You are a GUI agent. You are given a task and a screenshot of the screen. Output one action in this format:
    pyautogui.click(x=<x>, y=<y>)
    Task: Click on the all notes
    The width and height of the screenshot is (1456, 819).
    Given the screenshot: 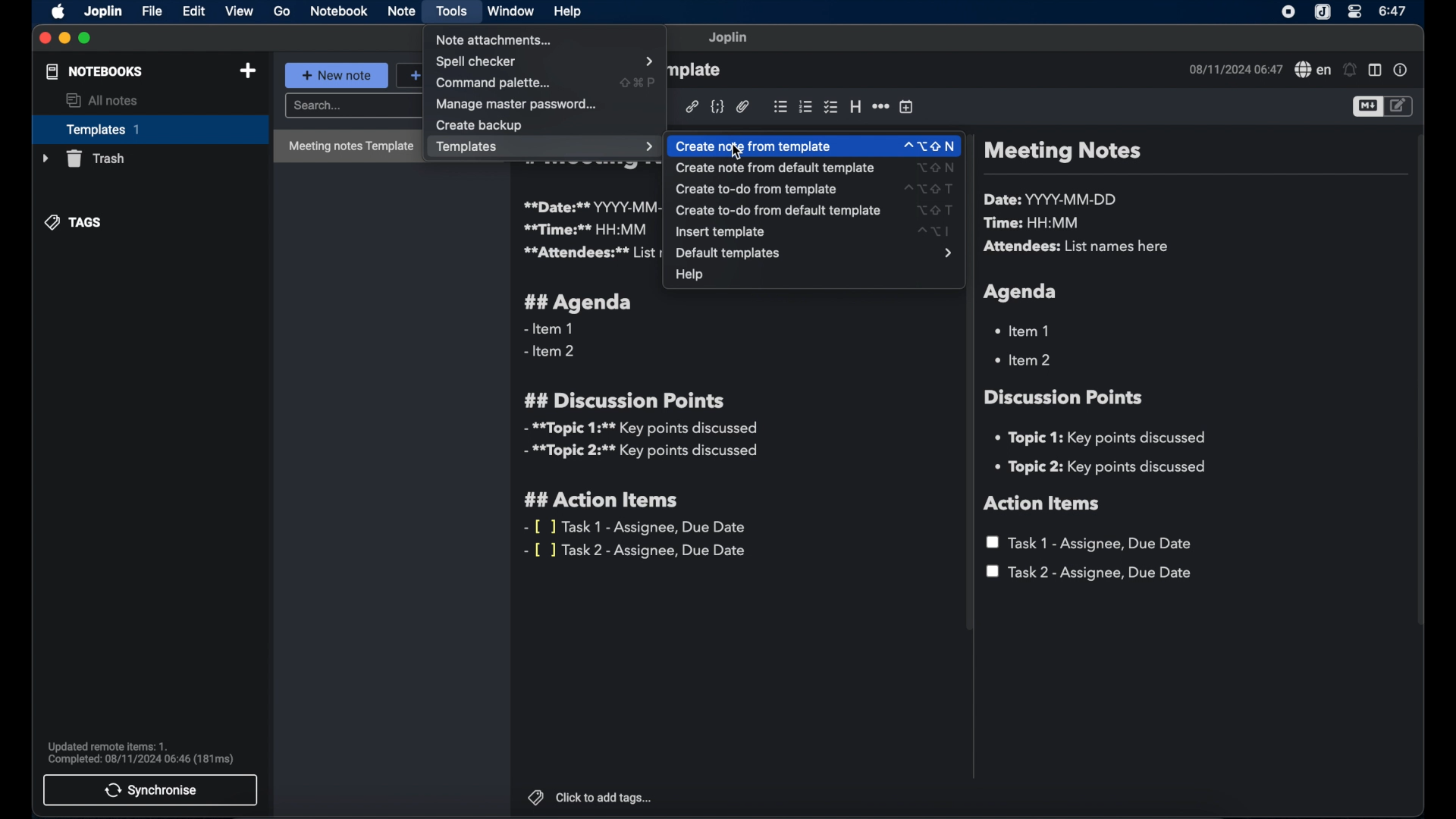 What is the action you would take?
    pyautogui.click(x=102, y=101)
    